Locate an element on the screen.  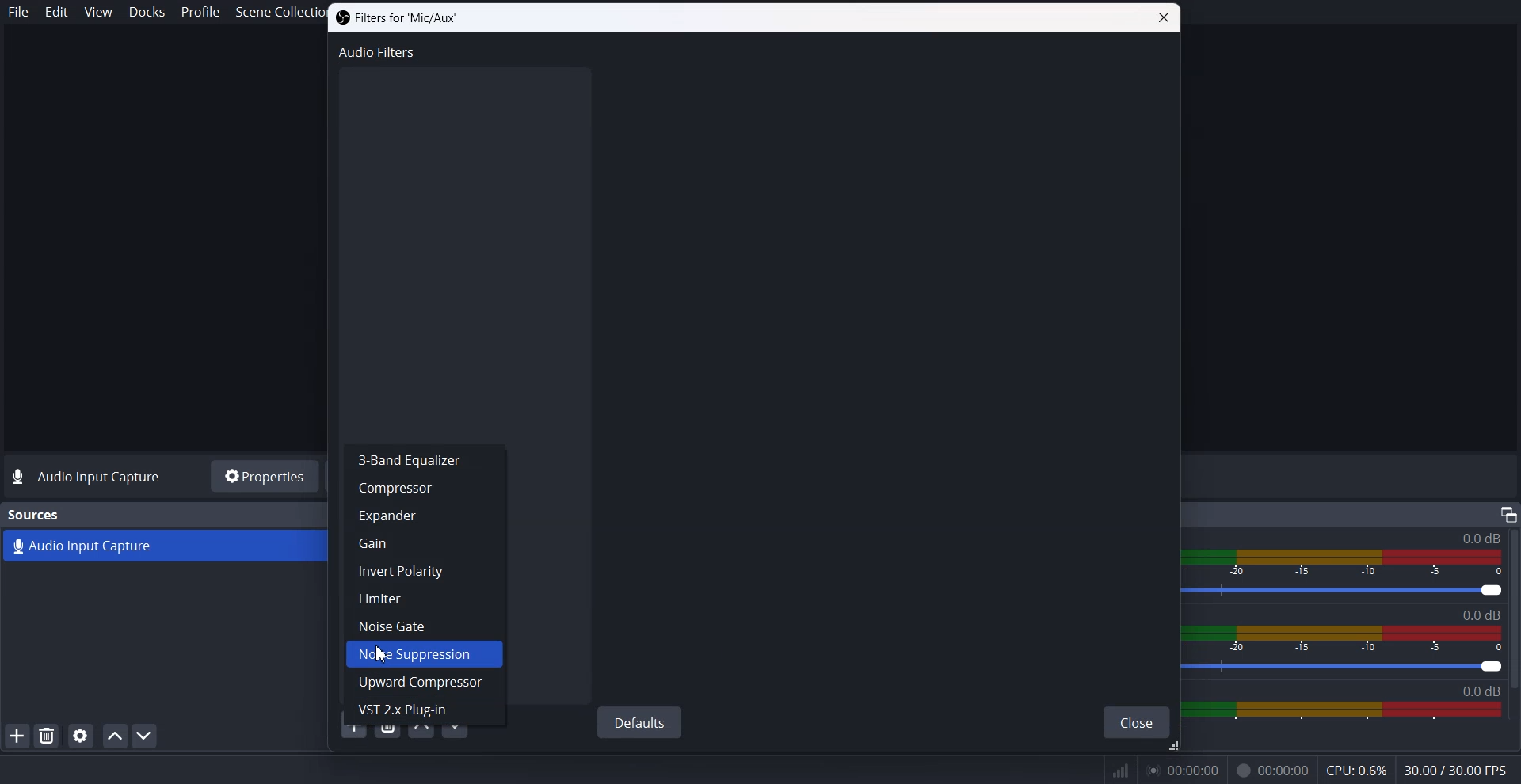
Sound Panel is located at coordinates (1344, 711).